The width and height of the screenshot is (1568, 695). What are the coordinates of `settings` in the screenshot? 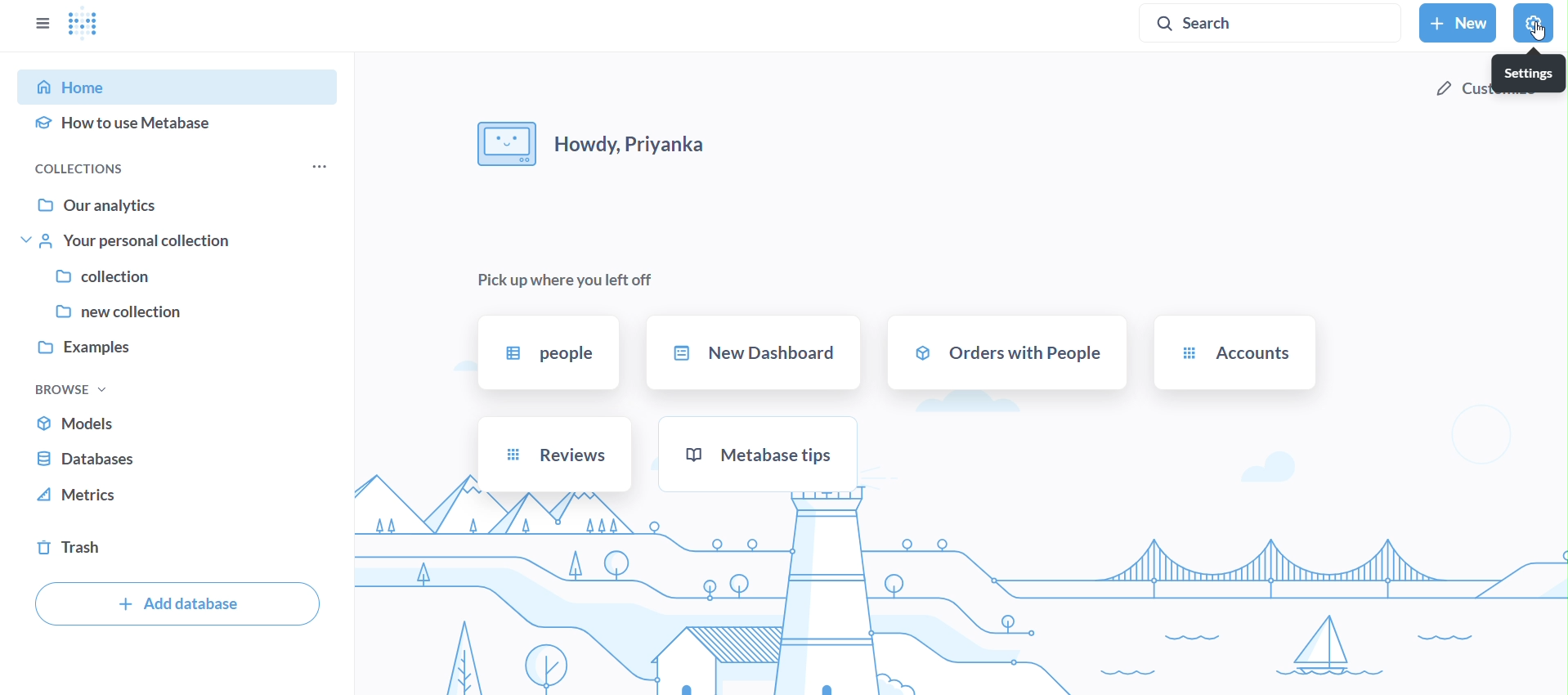 It's located at (1532, 23).